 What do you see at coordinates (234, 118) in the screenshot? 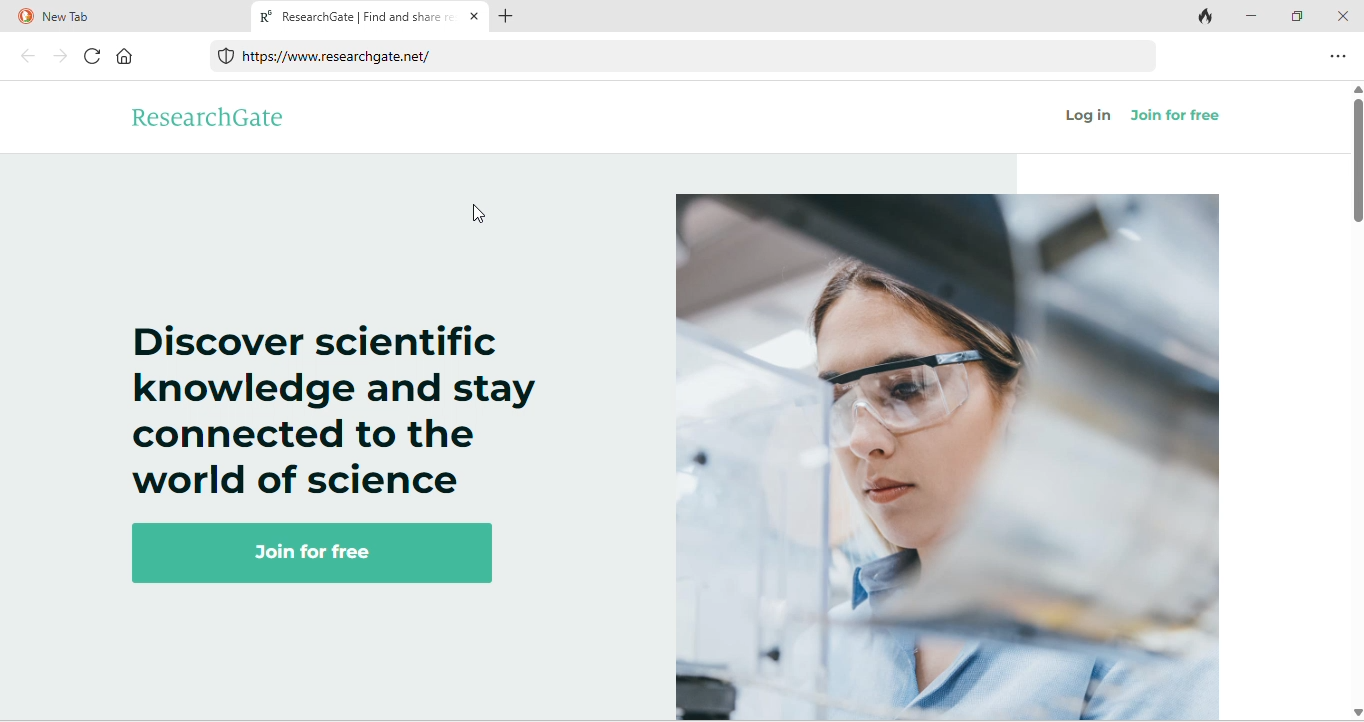
I see `ResearchGate` at bounding box center [234, 118].